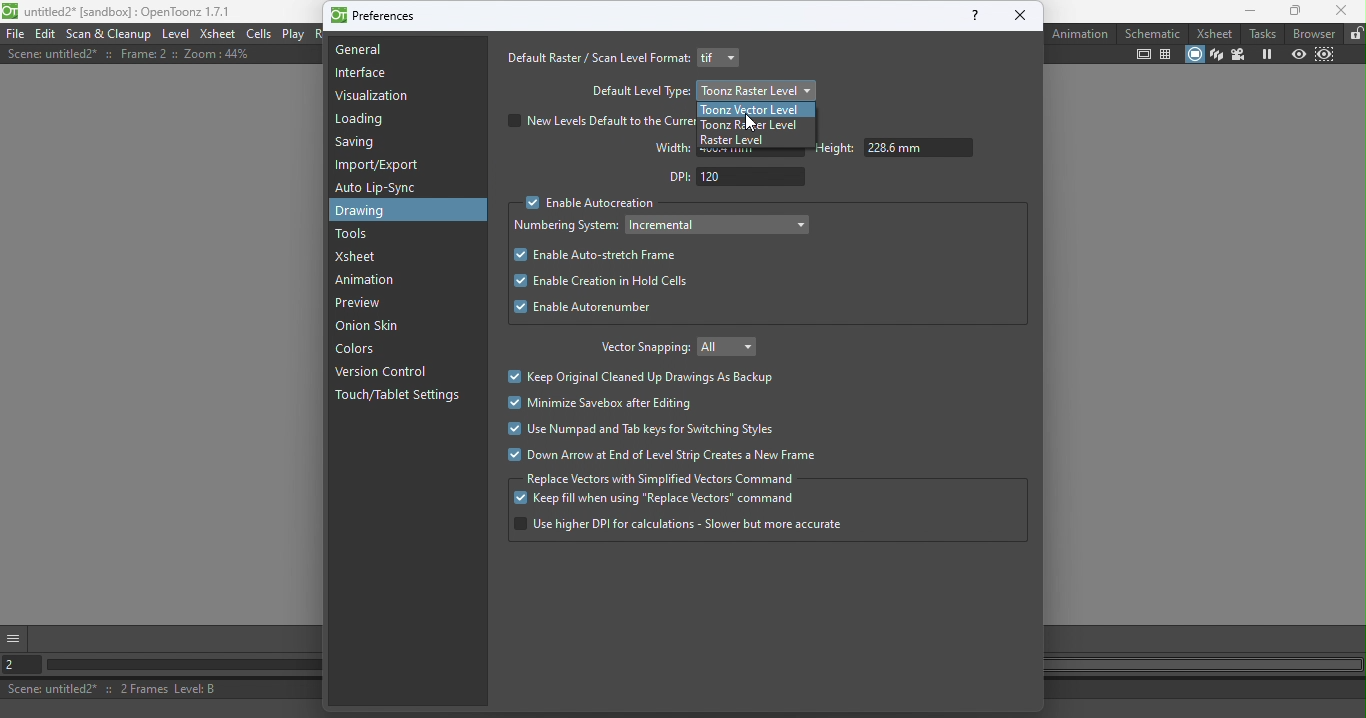 The width and height of the screenshot is (1366, 718). Describe the element at coordinates (1153, 33) in the screenshot. I see `Schematic` at that location.